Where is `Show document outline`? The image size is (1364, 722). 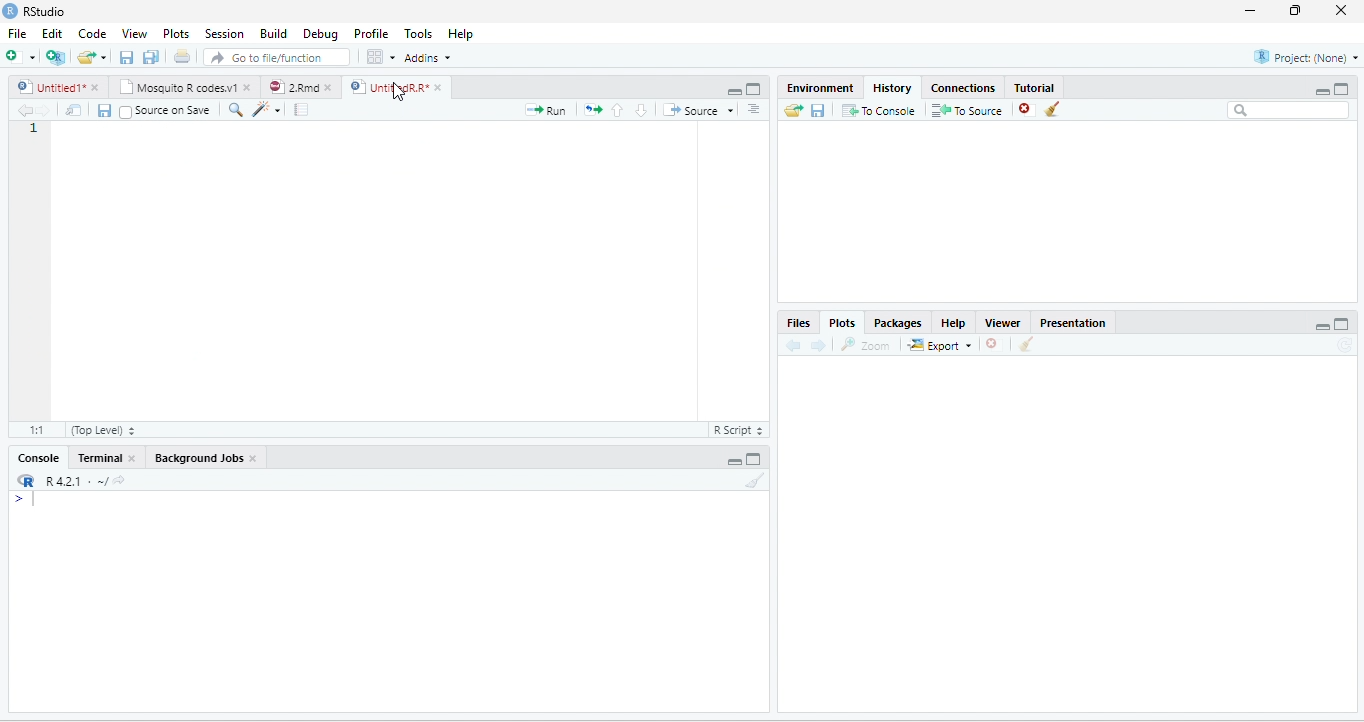 Show document outline is located at coordinates (754, 108).